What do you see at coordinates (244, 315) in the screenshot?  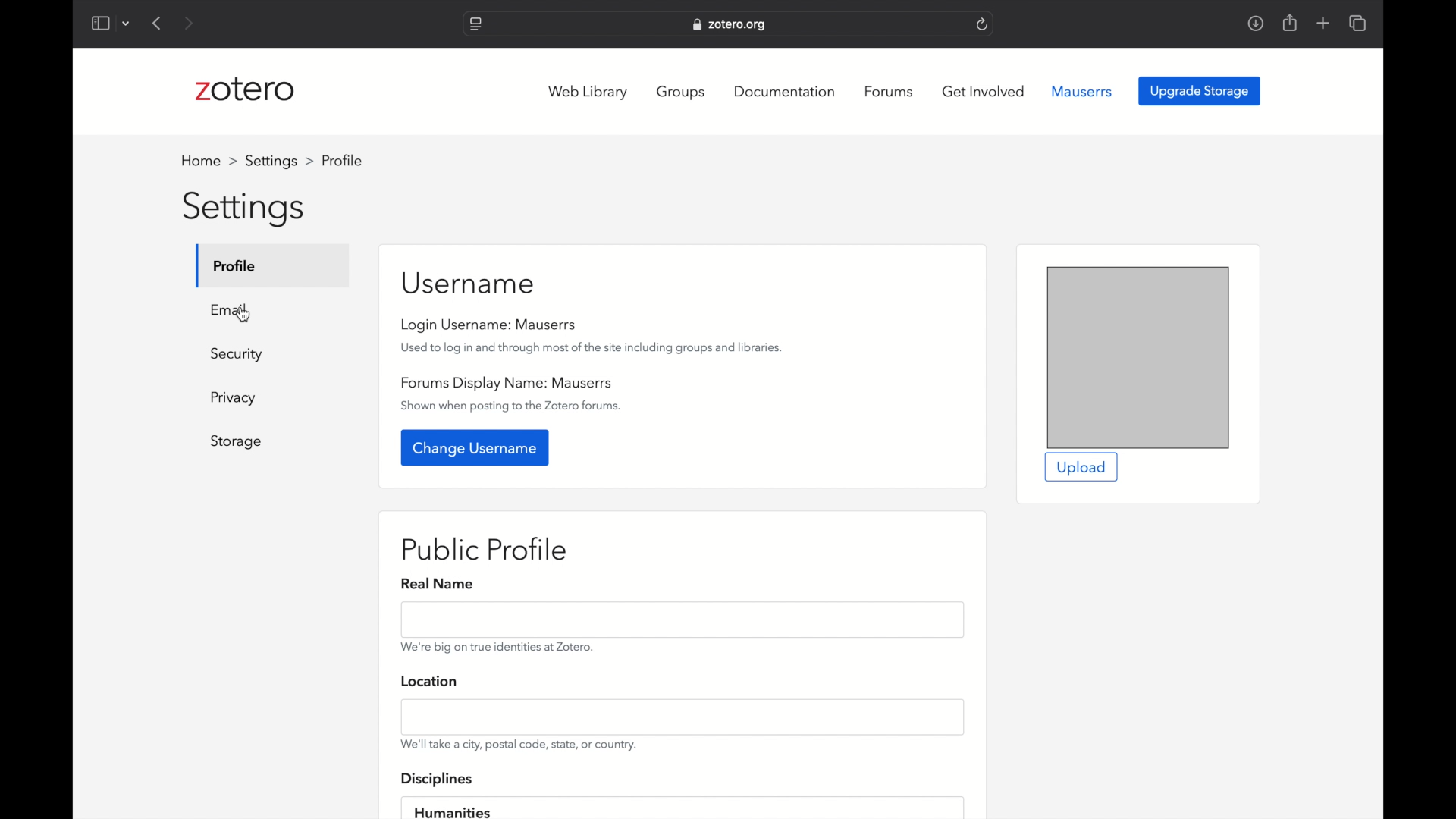 I see `cursor` at bounding box center [244, 315].